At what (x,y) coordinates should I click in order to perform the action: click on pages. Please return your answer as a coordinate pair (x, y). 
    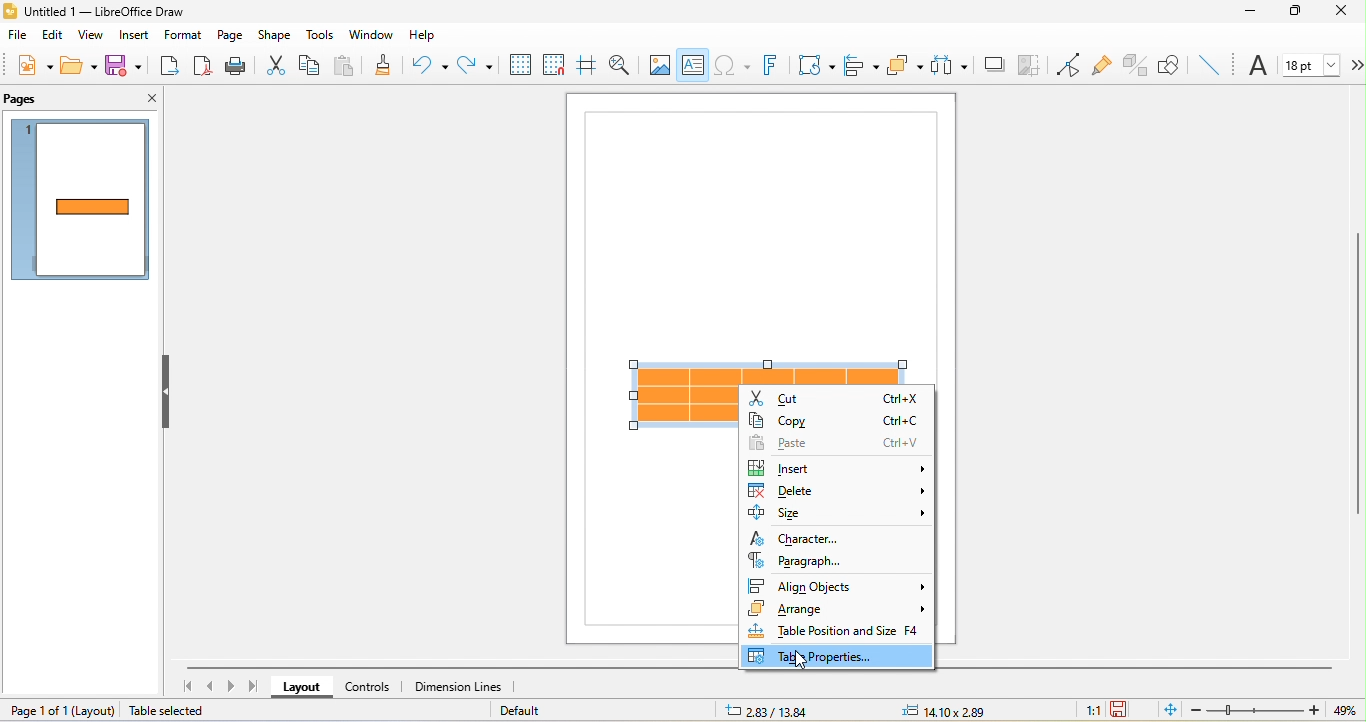
    Looking at the image, I should click on (24, 99).